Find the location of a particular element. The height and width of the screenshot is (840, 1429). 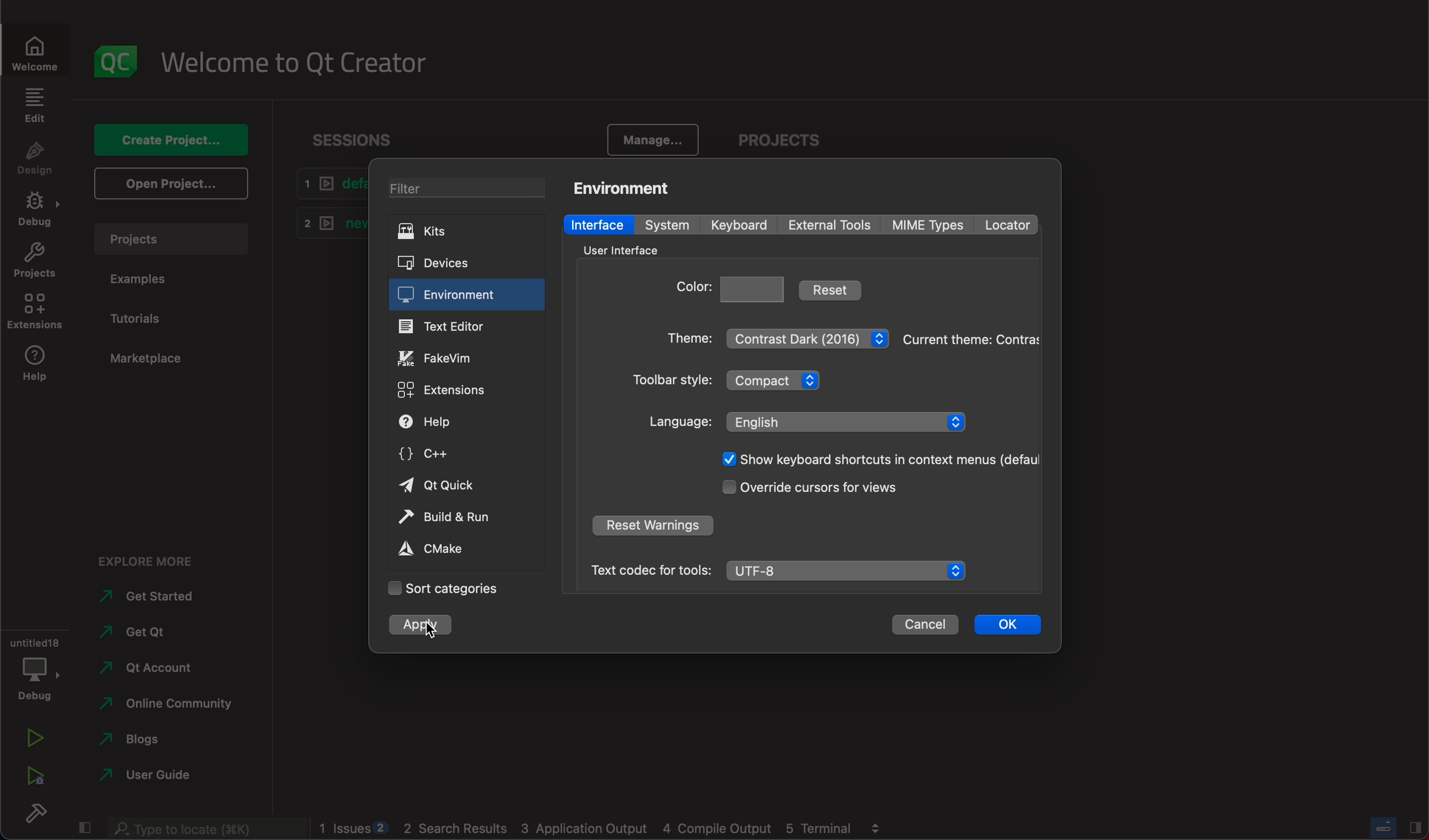

types is located at coordinates (933, 225).